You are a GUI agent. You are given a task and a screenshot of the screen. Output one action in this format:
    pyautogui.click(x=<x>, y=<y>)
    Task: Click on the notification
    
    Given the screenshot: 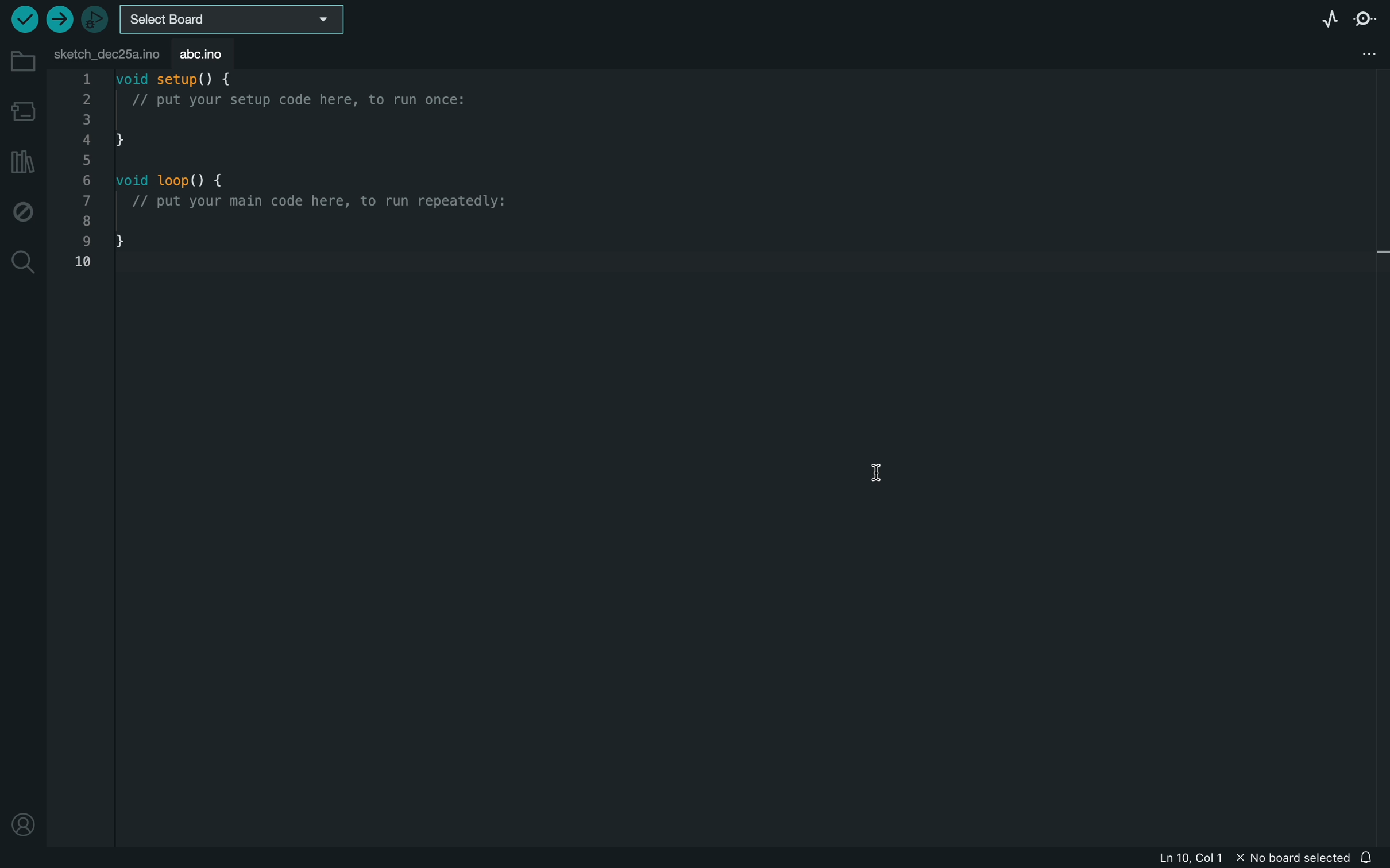 What is the action you would take?
    pyautogui.click(x=1371, y=858)
    